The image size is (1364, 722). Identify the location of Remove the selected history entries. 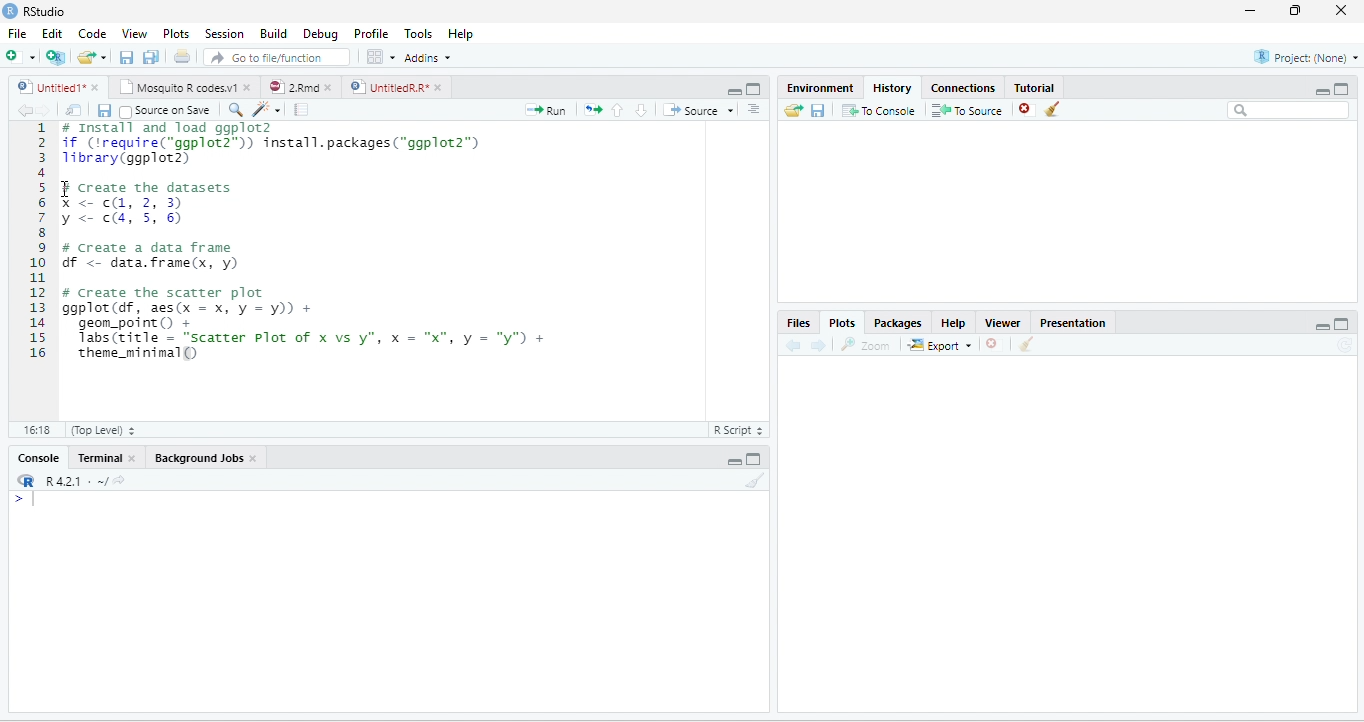
(1027, 110).